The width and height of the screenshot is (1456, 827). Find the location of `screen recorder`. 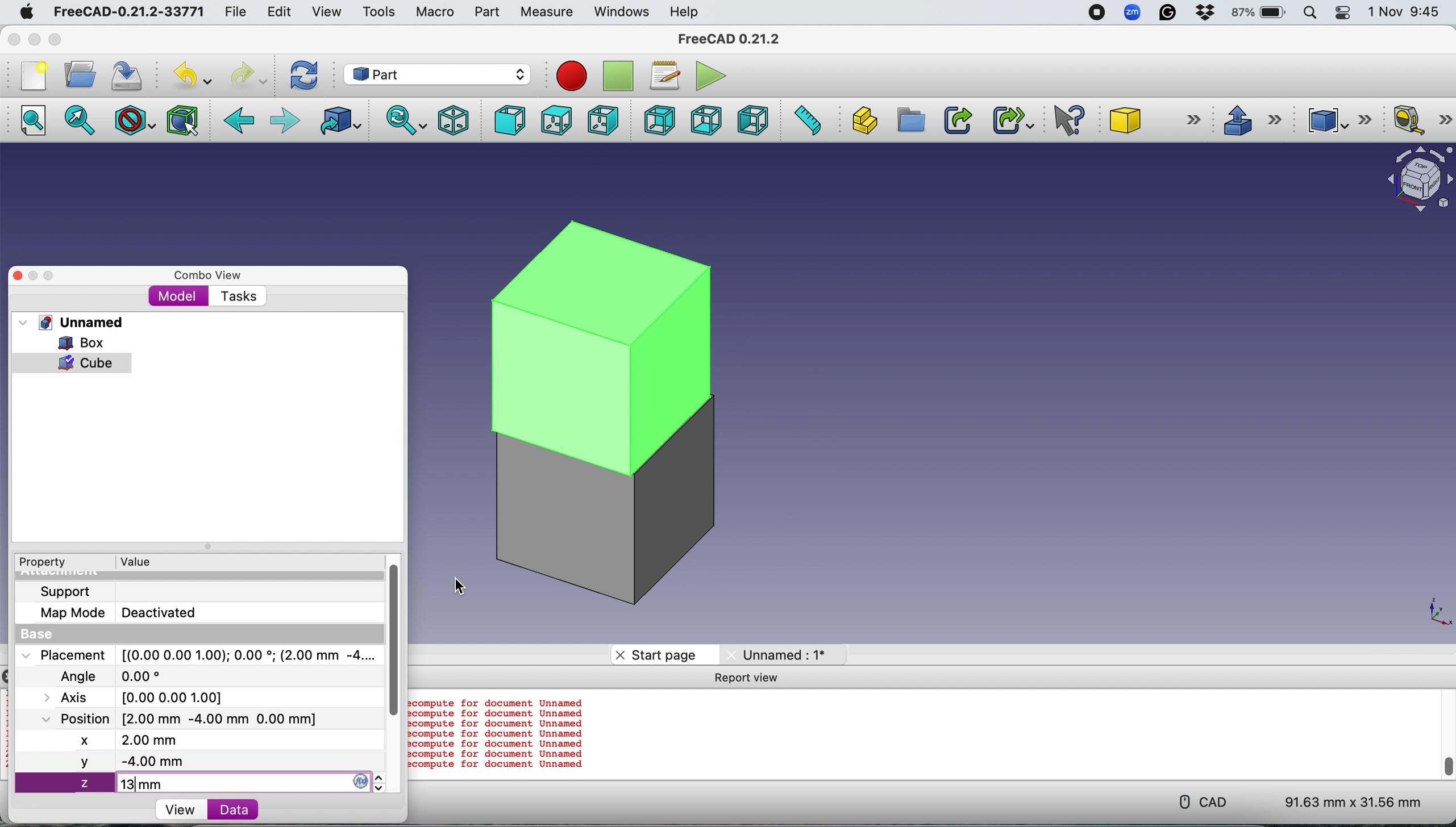

screen recorder is located at coordinates (1095, 13).